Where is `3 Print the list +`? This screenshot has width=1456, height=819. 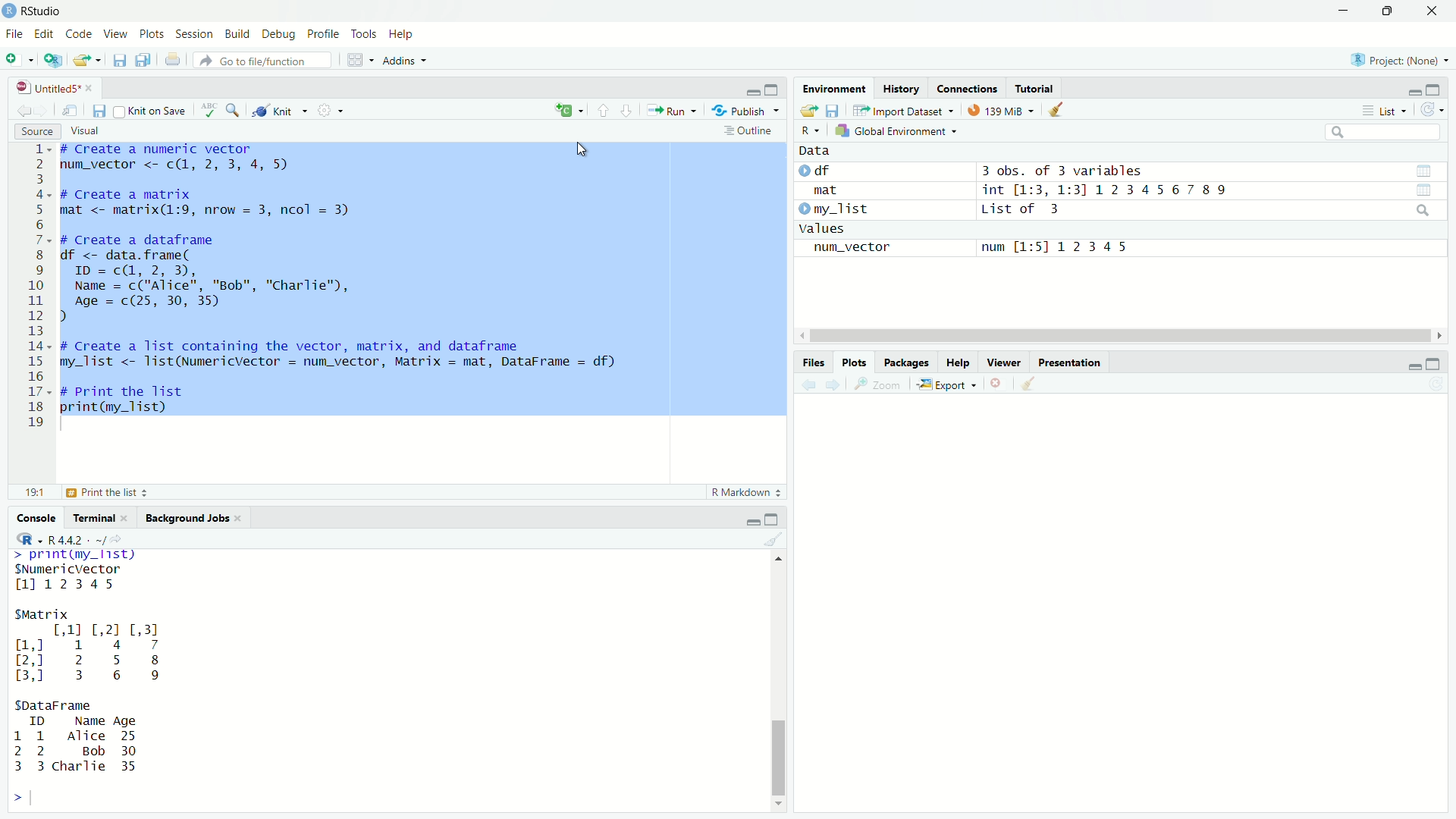 3 Print the list + is located at coordinates (121, 493).